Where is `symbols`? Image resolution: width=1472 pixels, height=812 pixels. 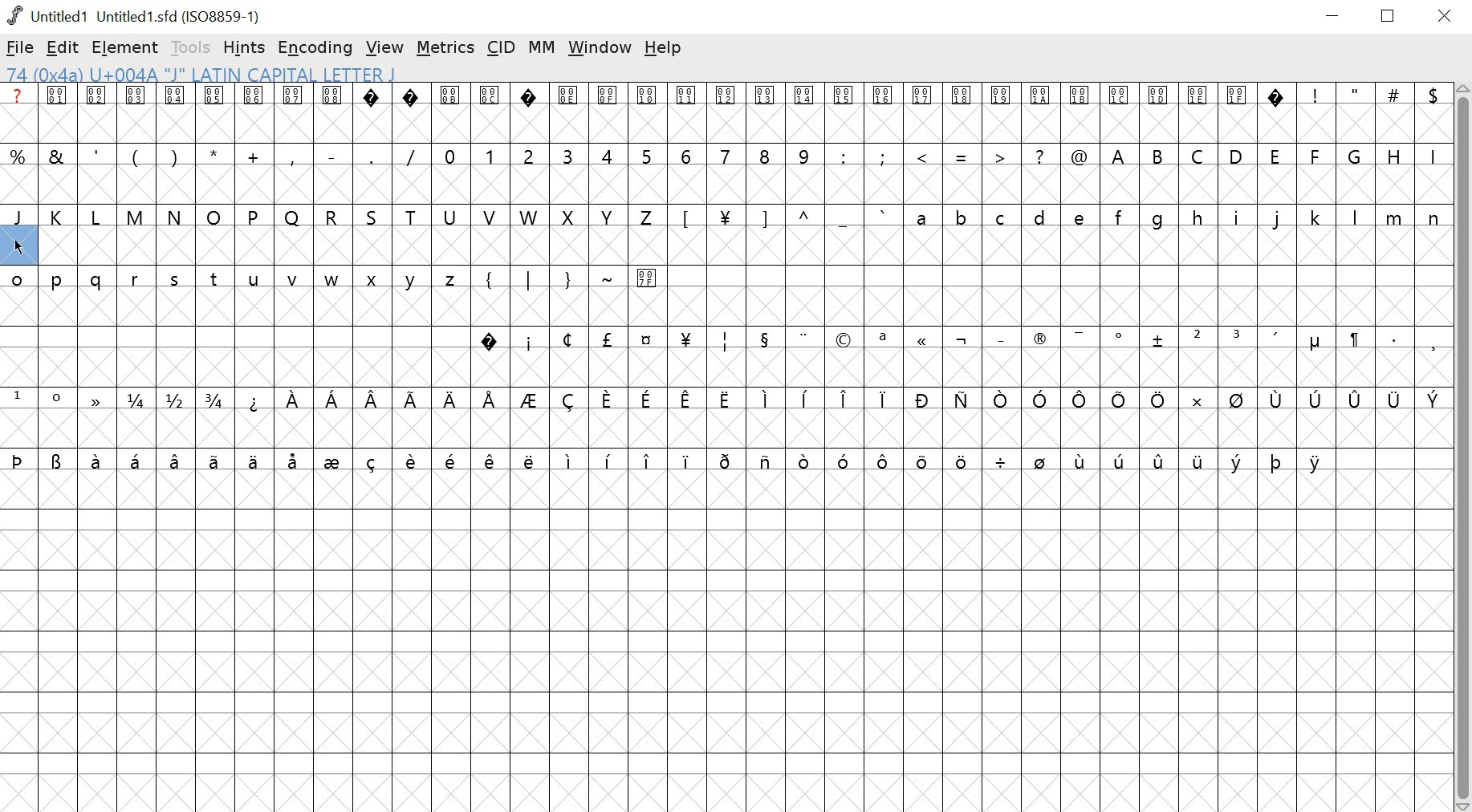 symbols is located at coordinates (951, 341).